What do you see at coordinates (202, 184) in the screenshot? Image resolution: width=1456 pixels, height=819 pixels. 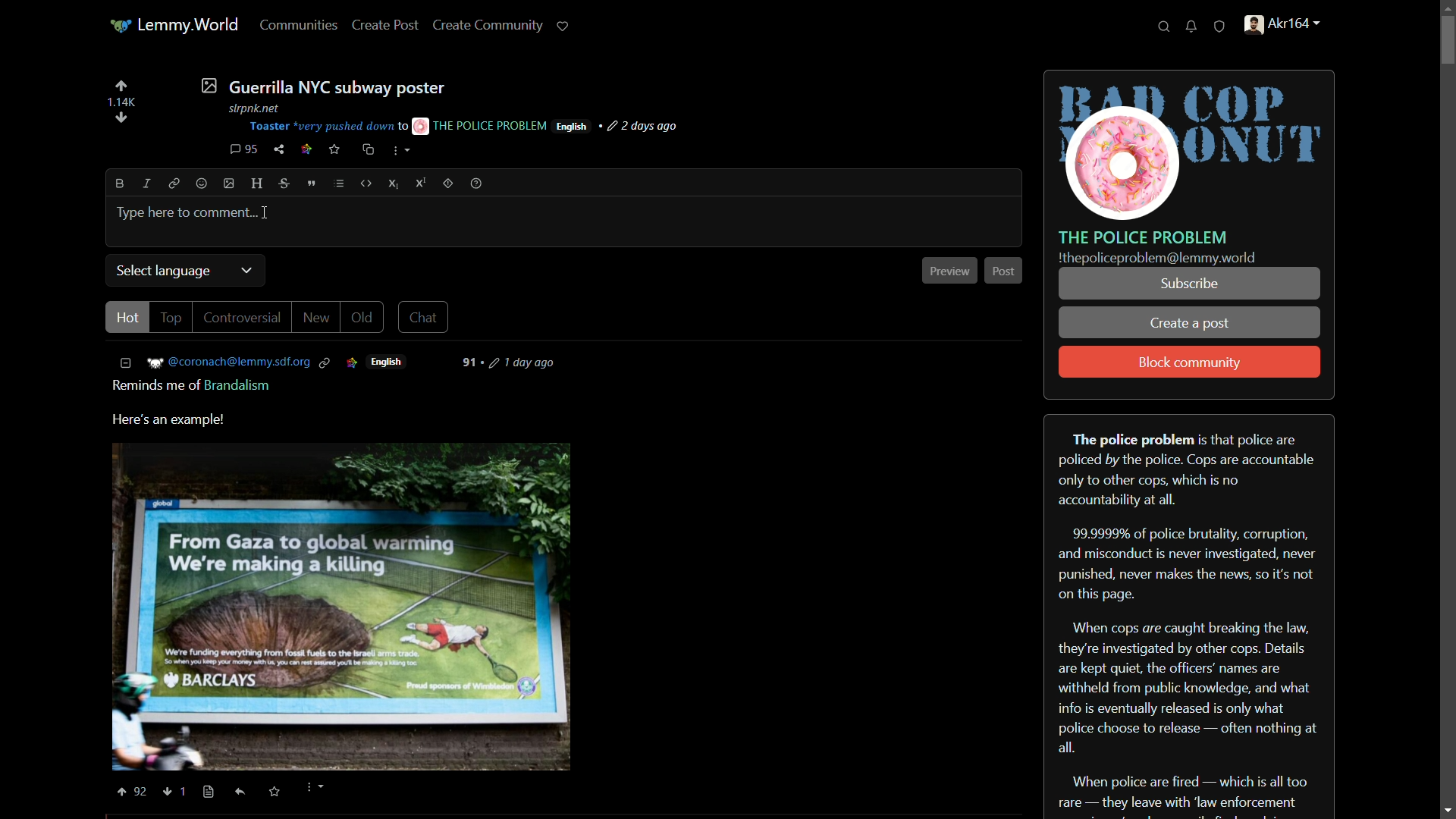 I see `emoji` at bounding box center [202, 184].